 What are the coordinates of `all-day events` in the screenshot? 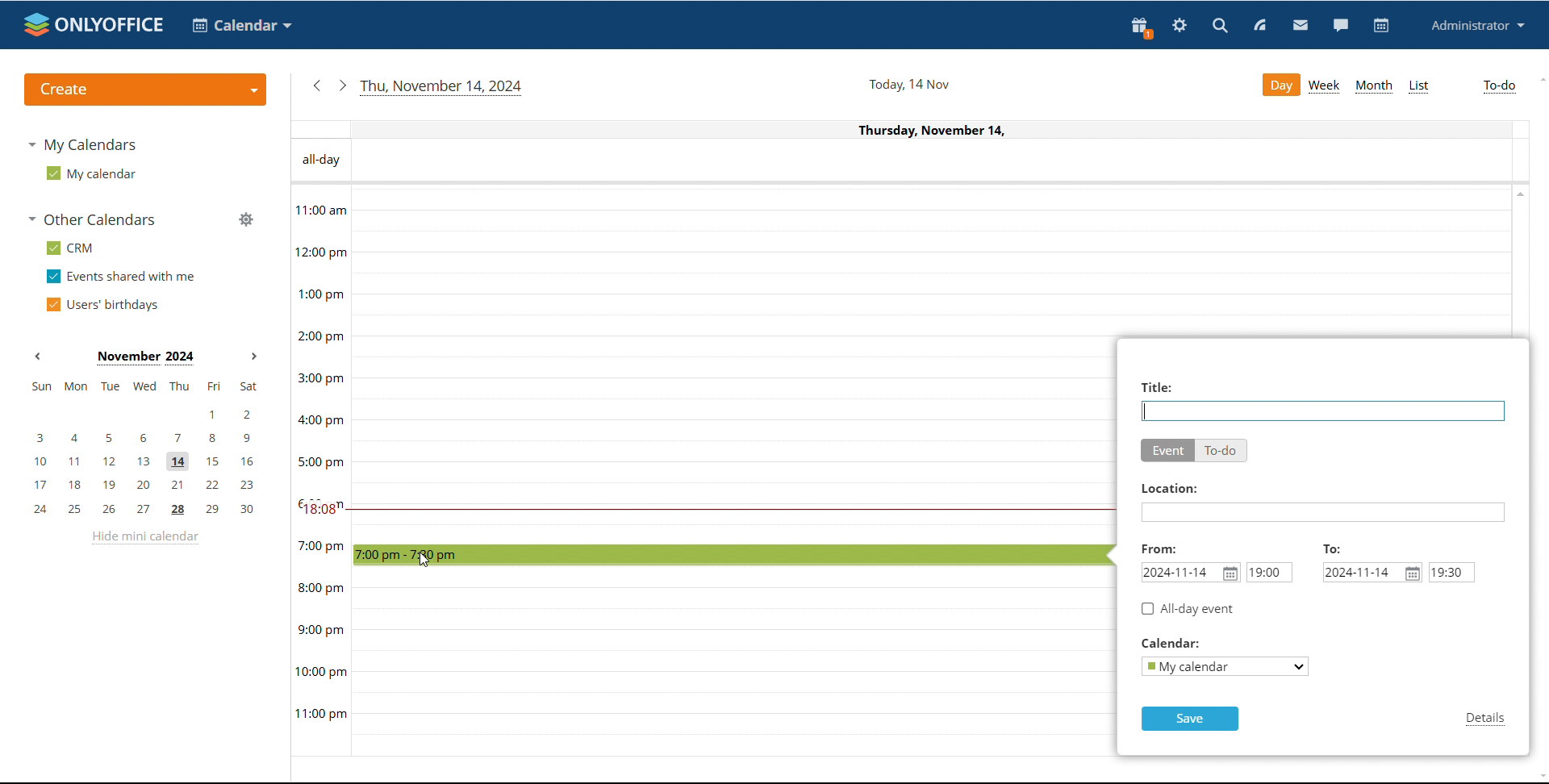 It's located at (943, 161).